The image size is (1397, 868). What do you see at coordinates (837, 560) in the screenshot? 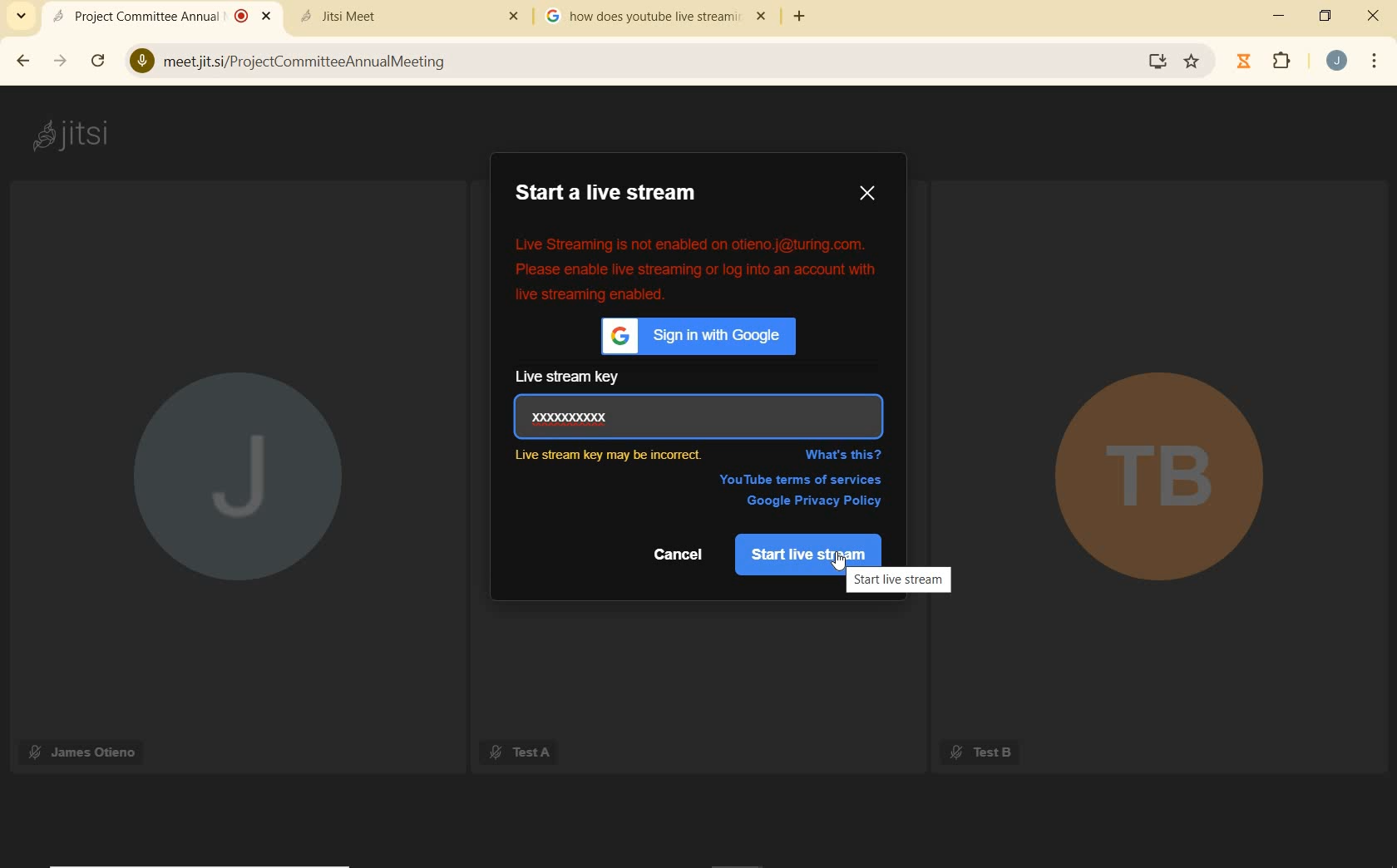
I see `cursor` at bounding box center [837, 560].